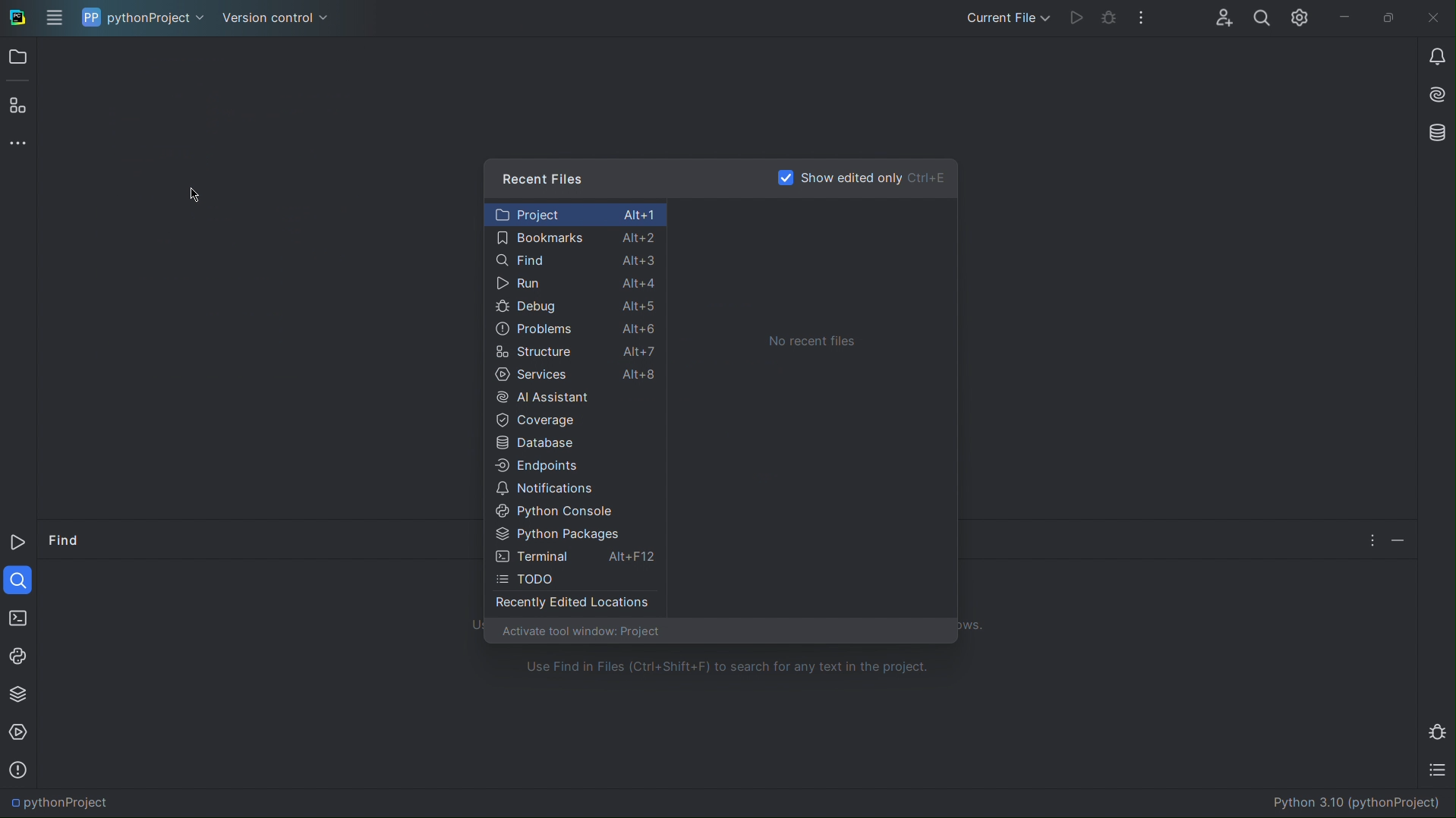 This screenshot has height=818, width=1456. Describe the element at coordinates (580, 633) in the screenshot. I see `Activate tool window: Project` at that location.